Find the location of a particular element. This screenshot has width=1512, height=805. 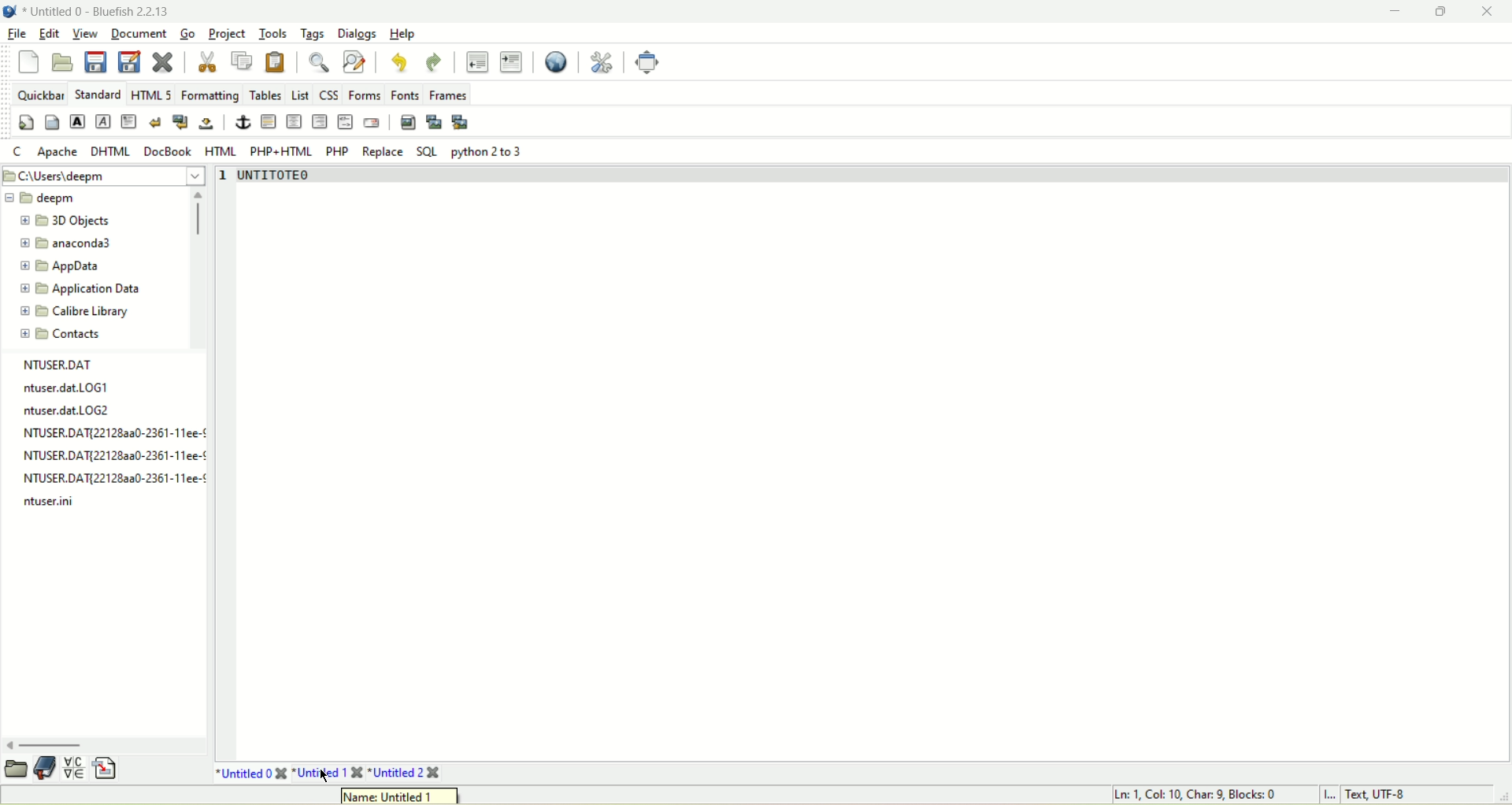

file is located at coordinates (61, 362).